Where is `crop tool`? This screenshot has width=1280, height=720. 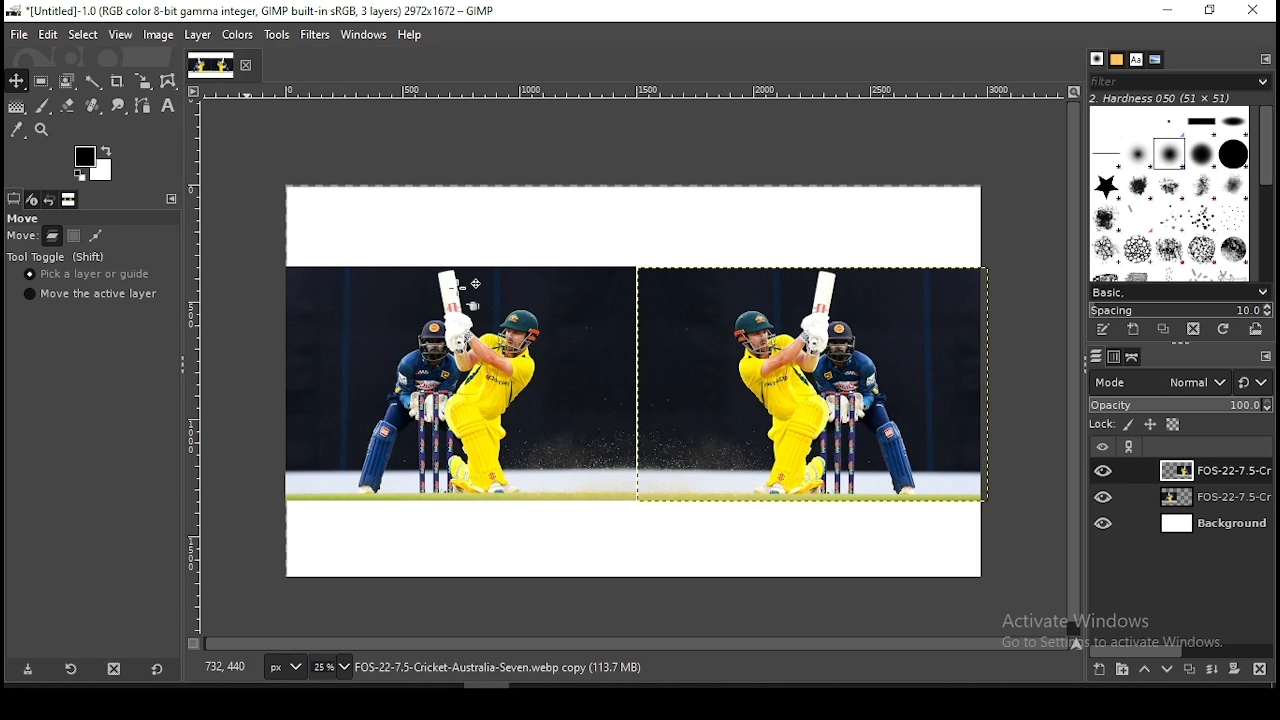 crop tool is located at coordinates (140, 82).